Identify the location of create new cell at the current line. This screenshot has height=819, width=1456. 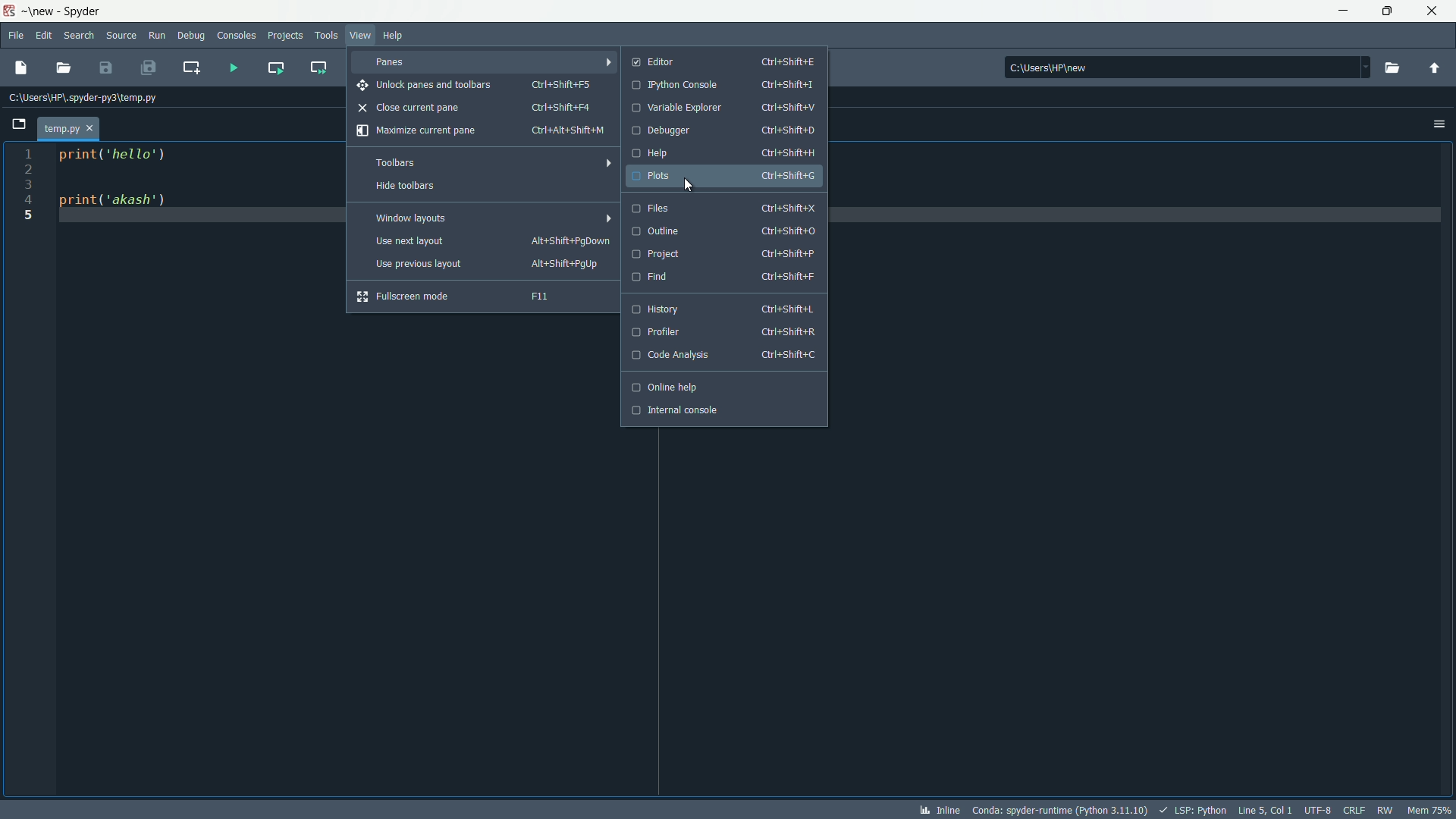
(194, 64).